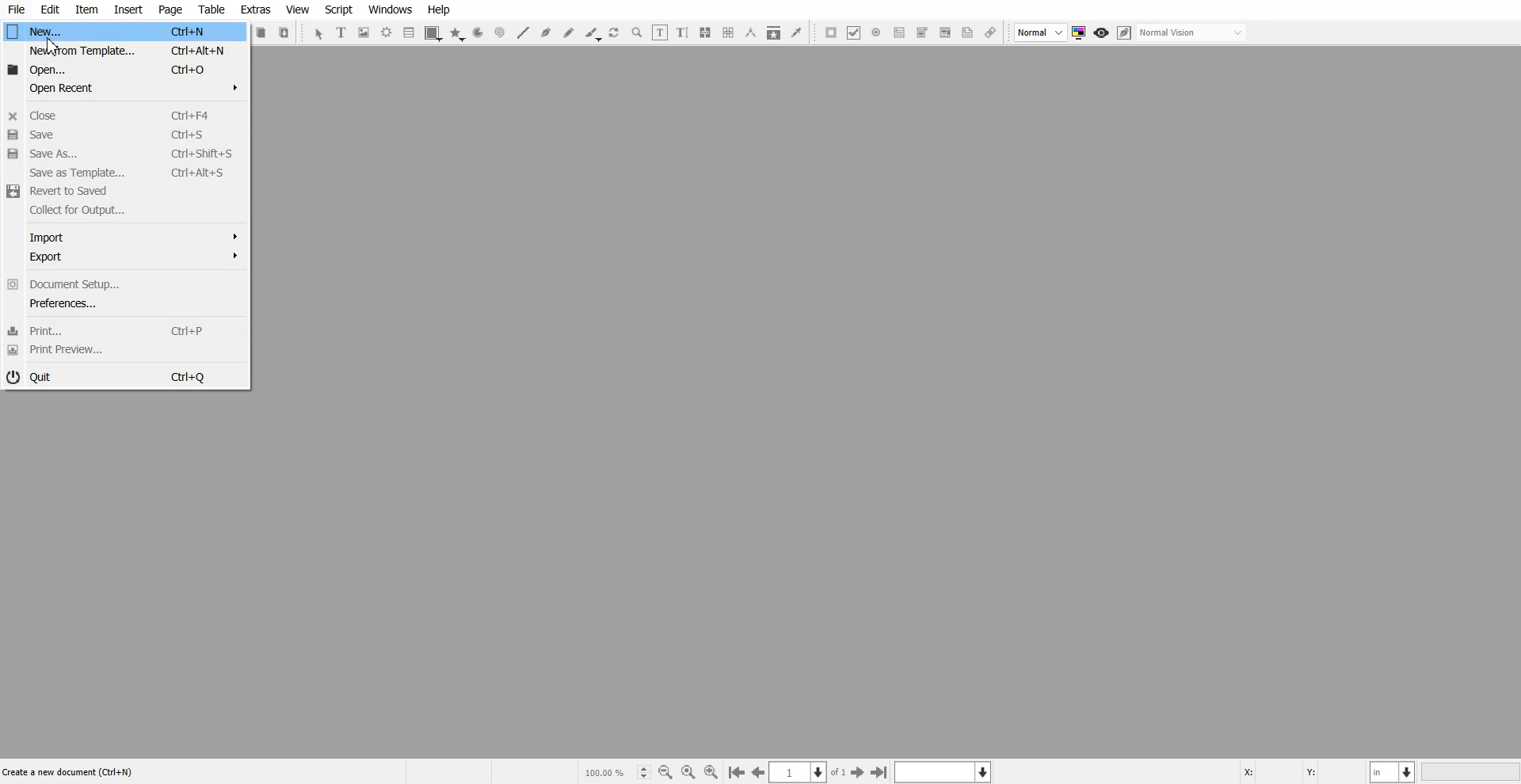  What do you see at coordinates (123, 154) in the screenshot?
I see `Save As` at bounding box center [123, 154].